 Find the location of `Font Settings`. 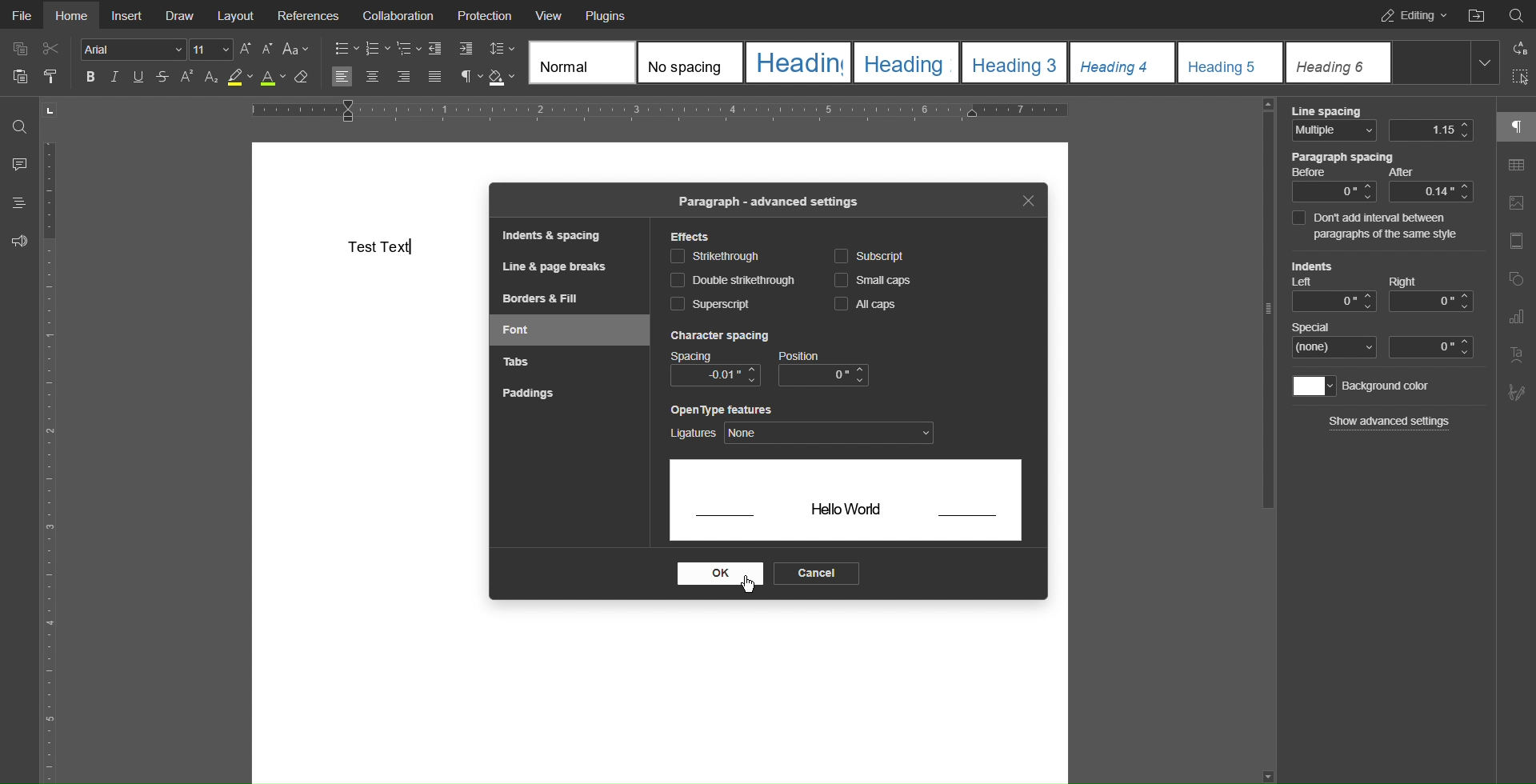

Font Settings is located at coordinates (157, 49).